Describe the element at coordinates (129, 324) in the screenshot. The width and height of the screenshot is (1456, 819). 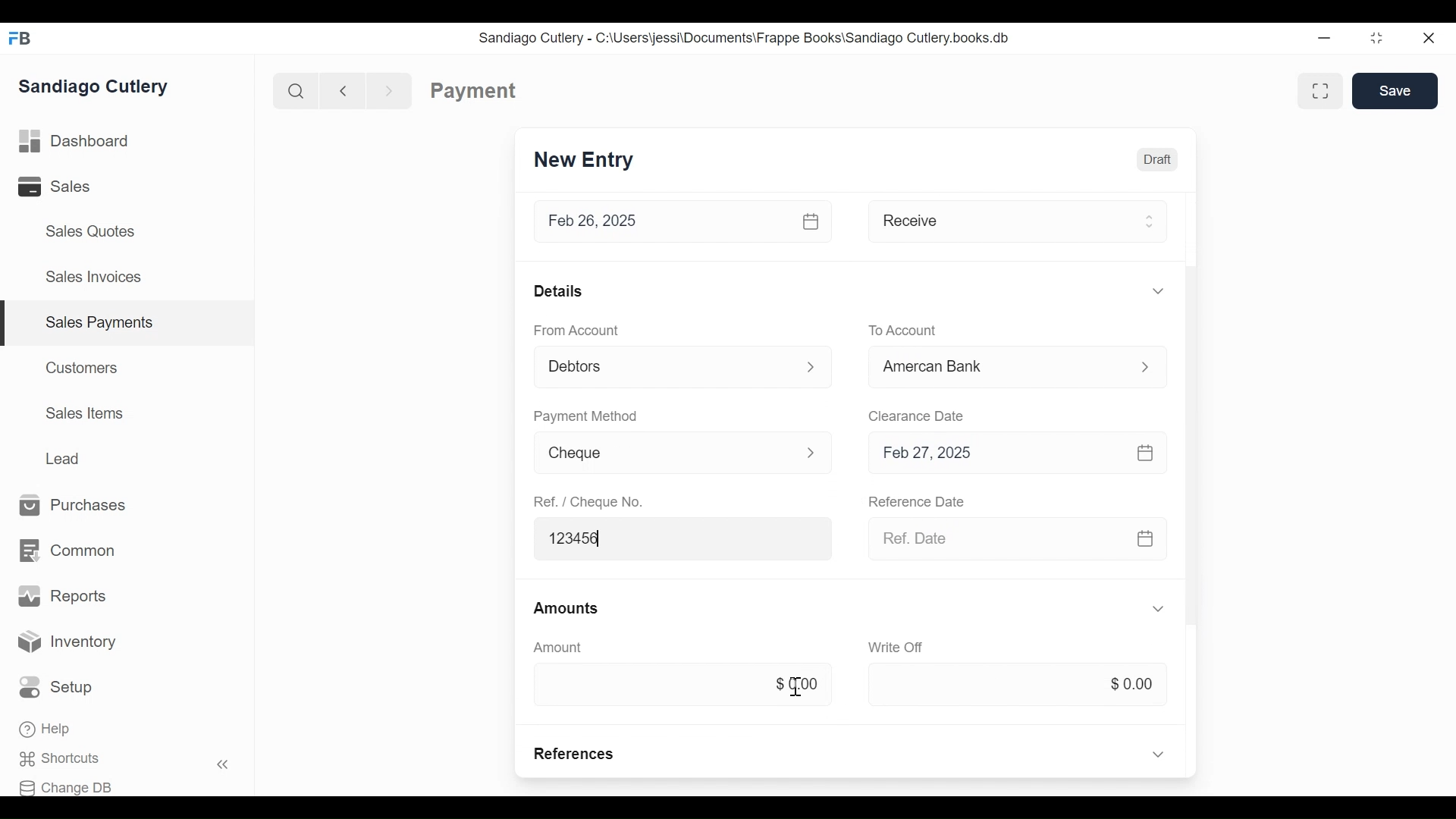
I see `| Sales Payments` at that location.